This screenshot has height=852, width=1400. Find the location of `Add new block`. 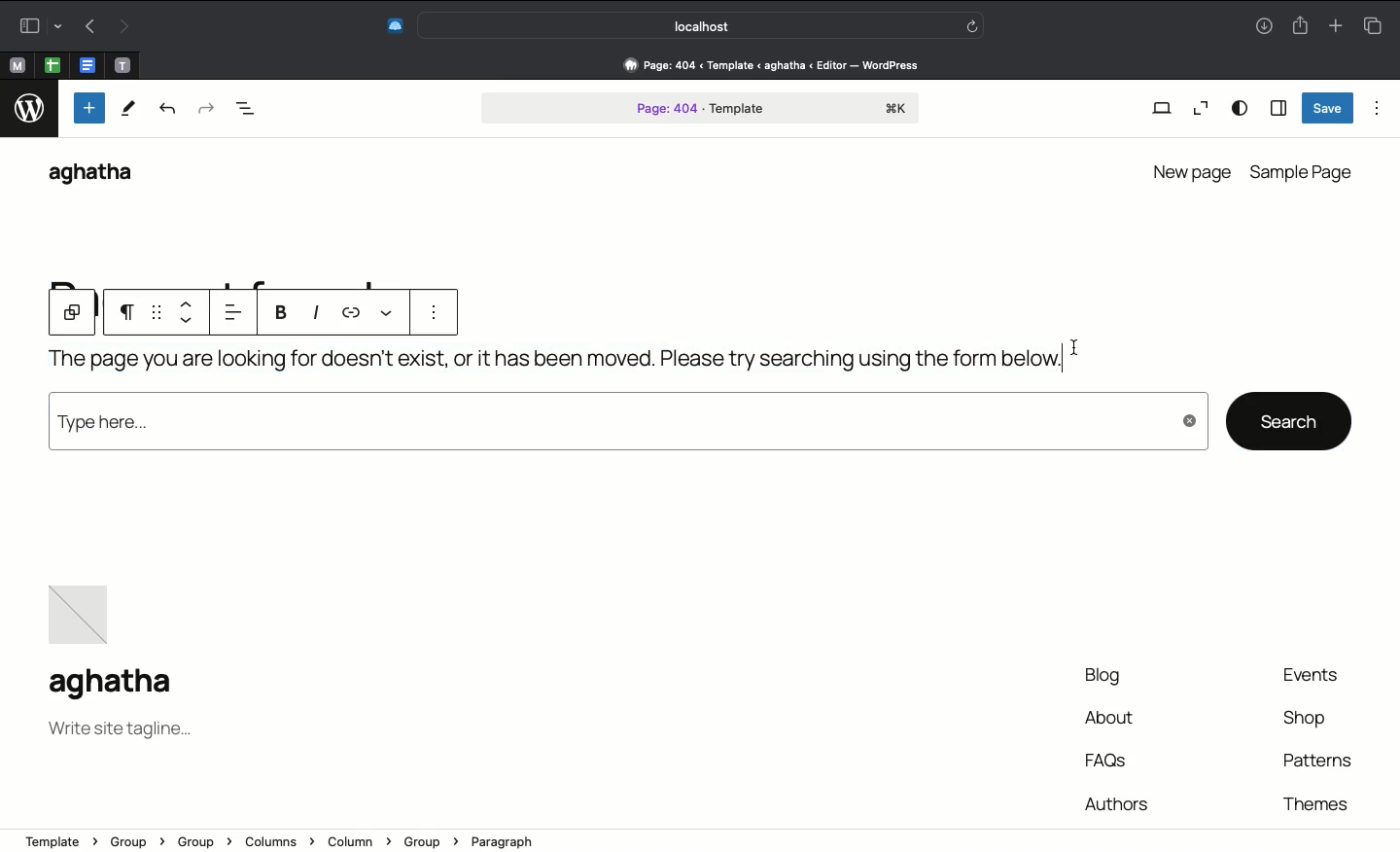

Add new block is located at coordinates (87, 108).